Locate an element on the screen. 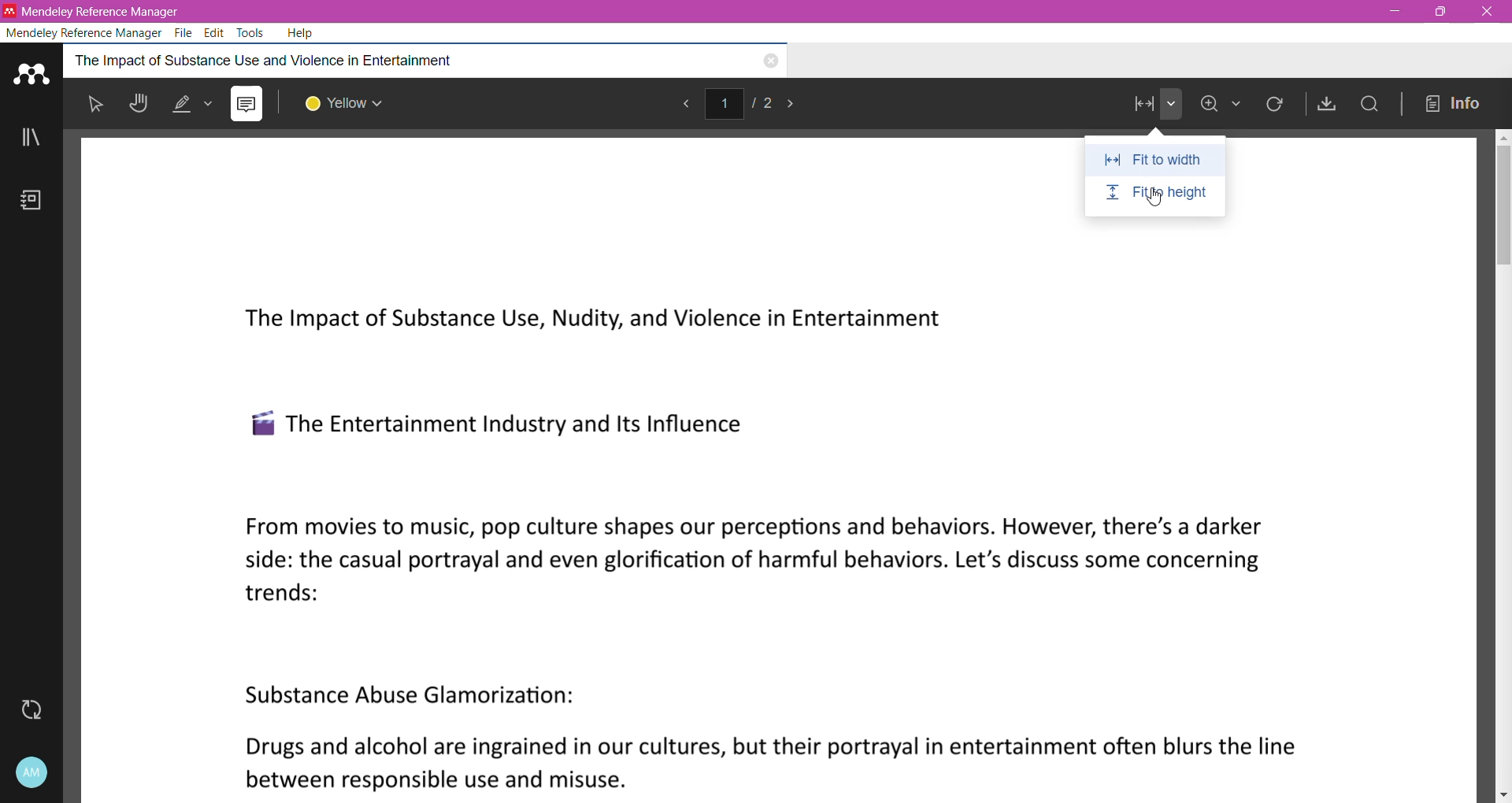  Reference Item Title is located at coordinates (372, 60).